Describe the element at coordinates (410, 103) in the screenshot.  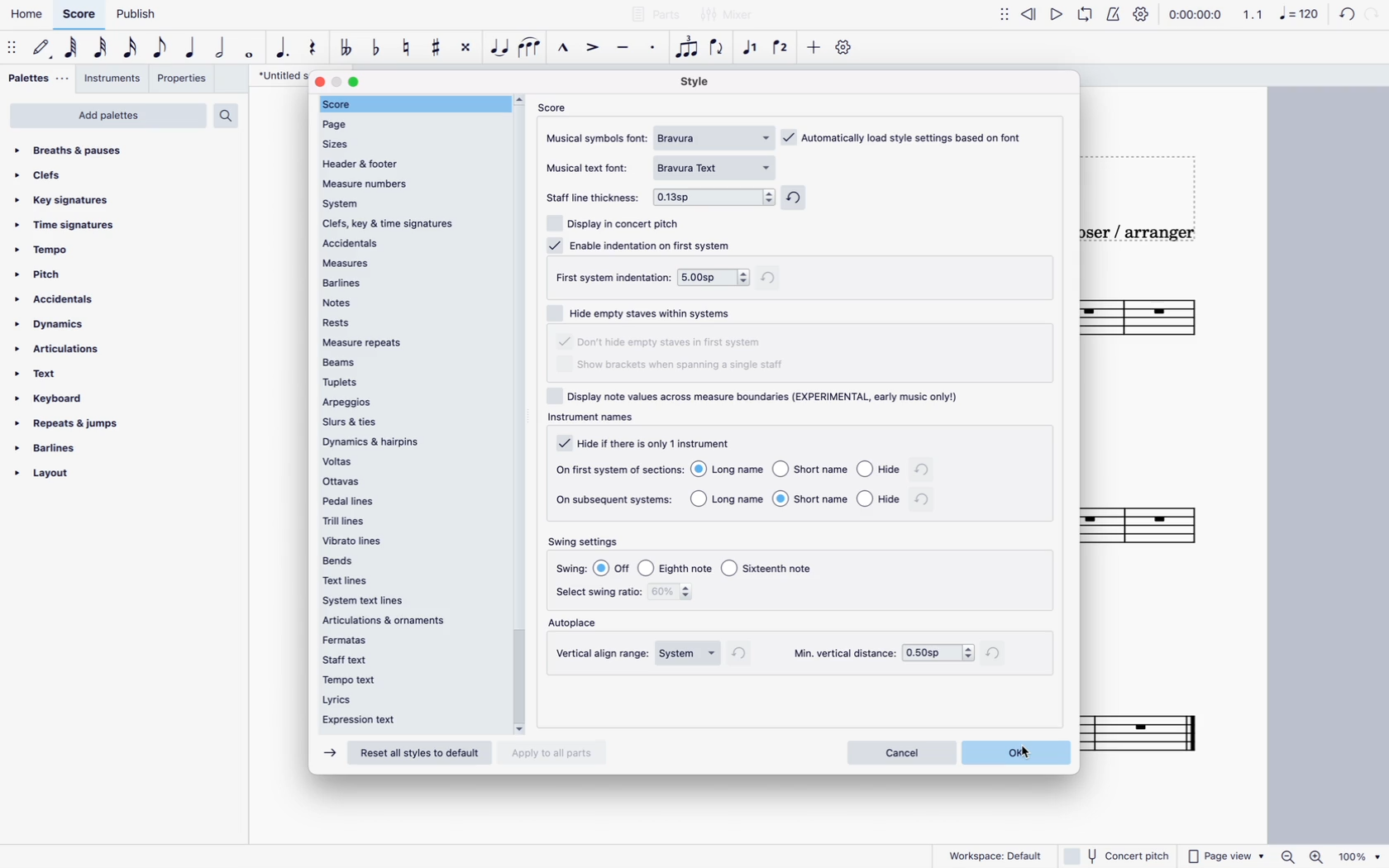
I see `score` at that location.